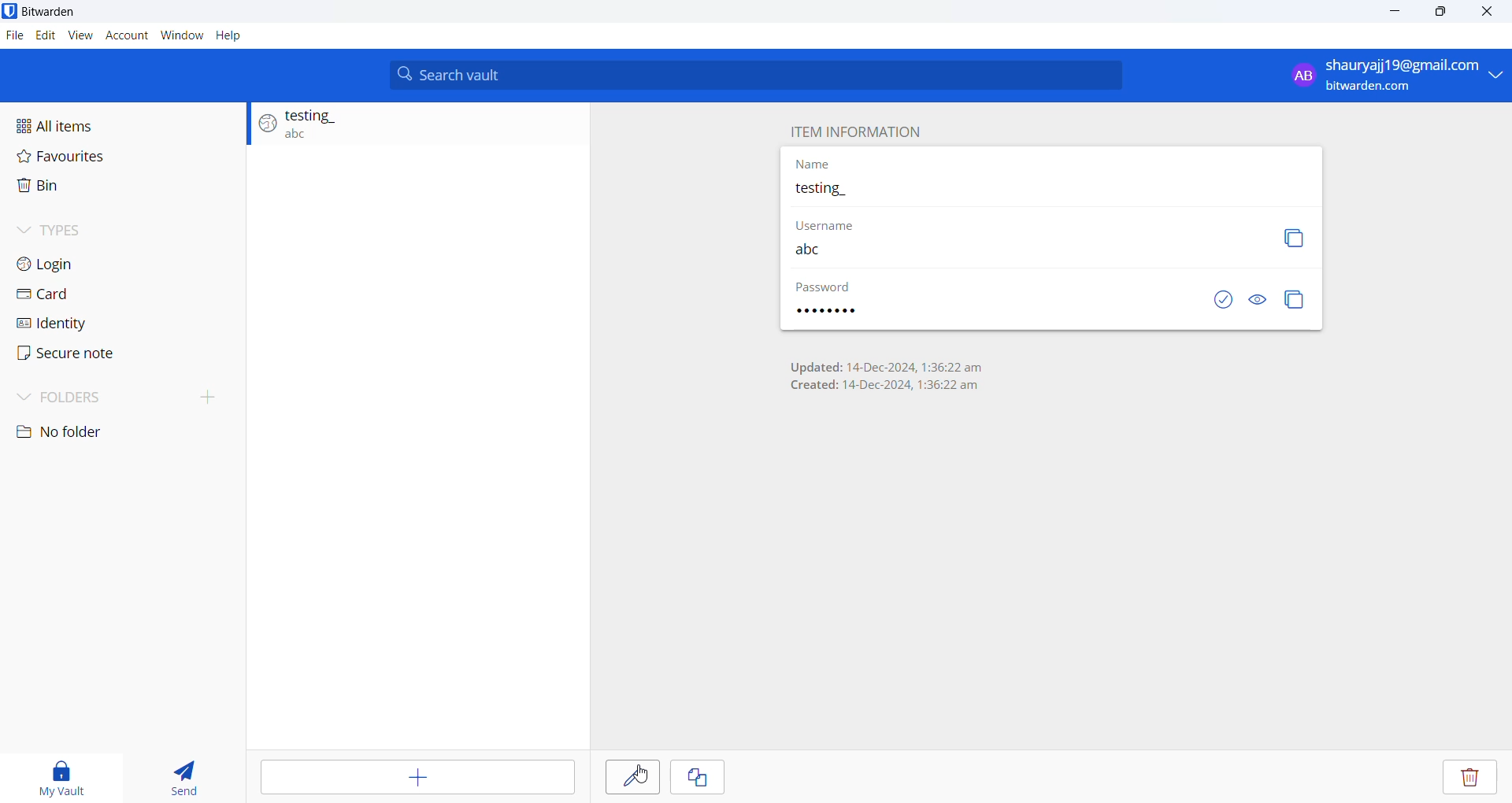  I want to click on Login, so click(112, 265).